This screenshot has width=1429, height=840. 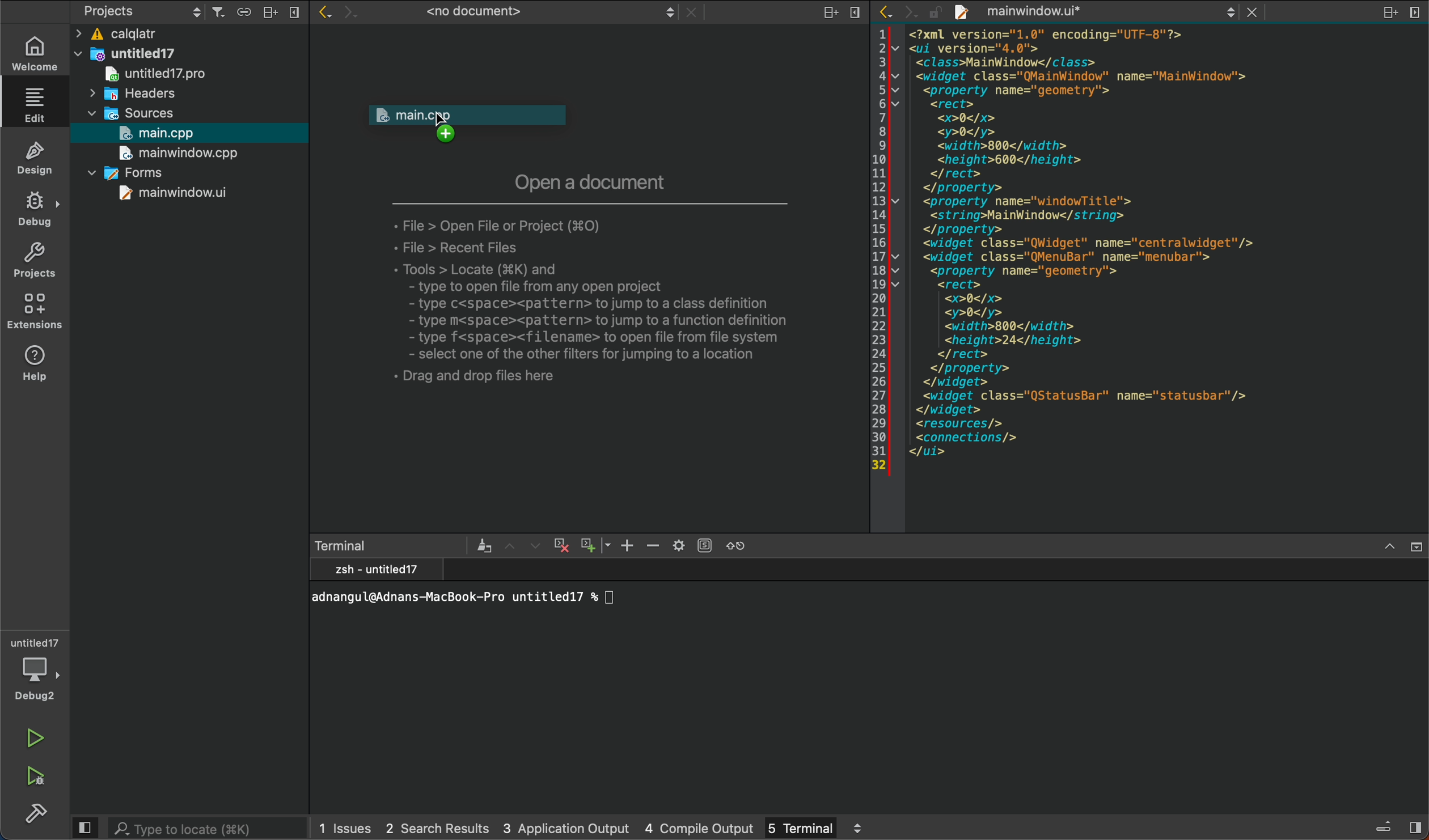 I want to click on debugger, so click(x=35, y=667).